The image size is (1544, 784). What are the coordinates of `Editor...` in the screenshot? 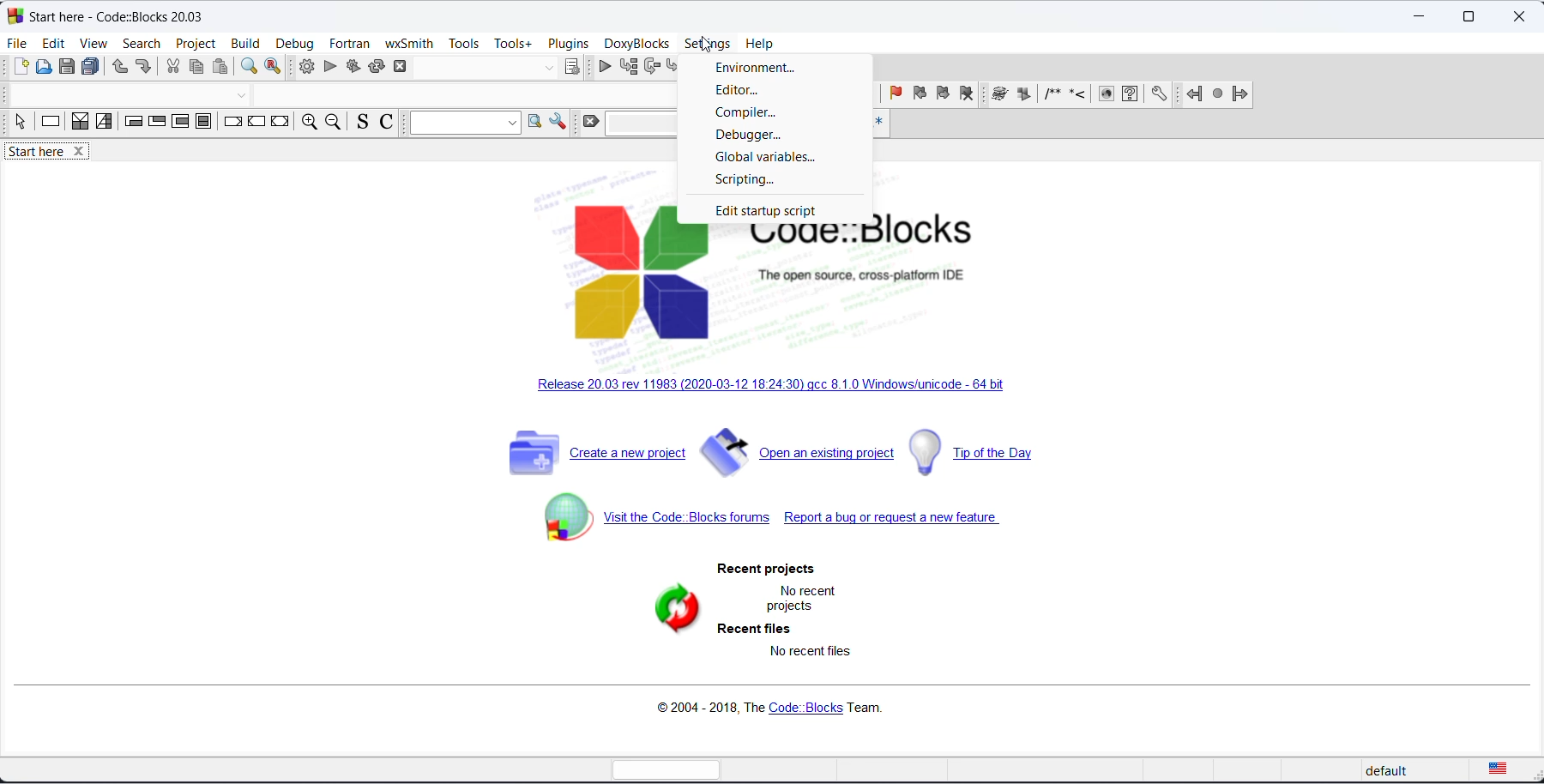 It's located at (746, 88).